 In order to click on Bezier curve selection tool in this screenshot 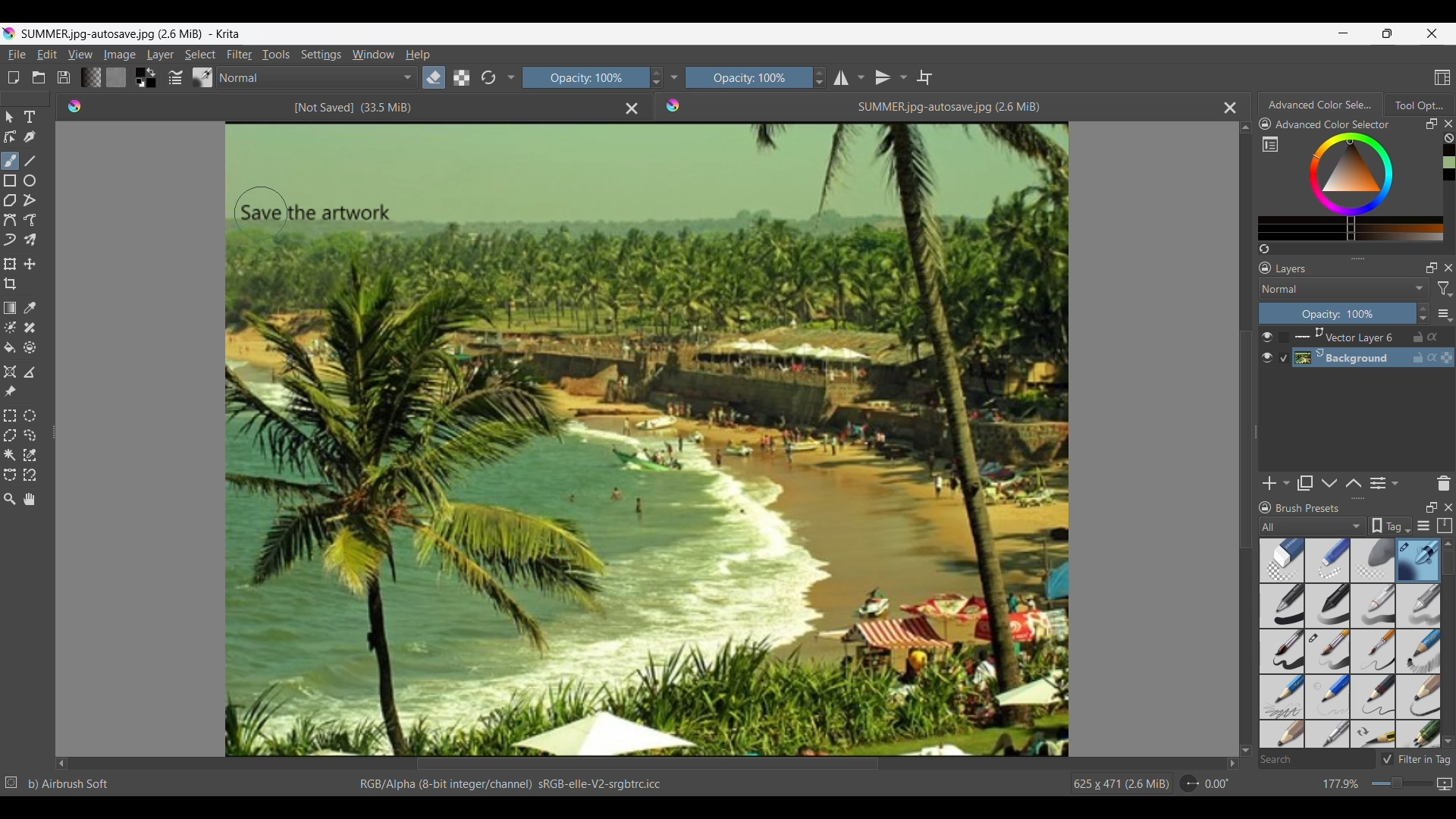, I will do `click(11, 475)`.